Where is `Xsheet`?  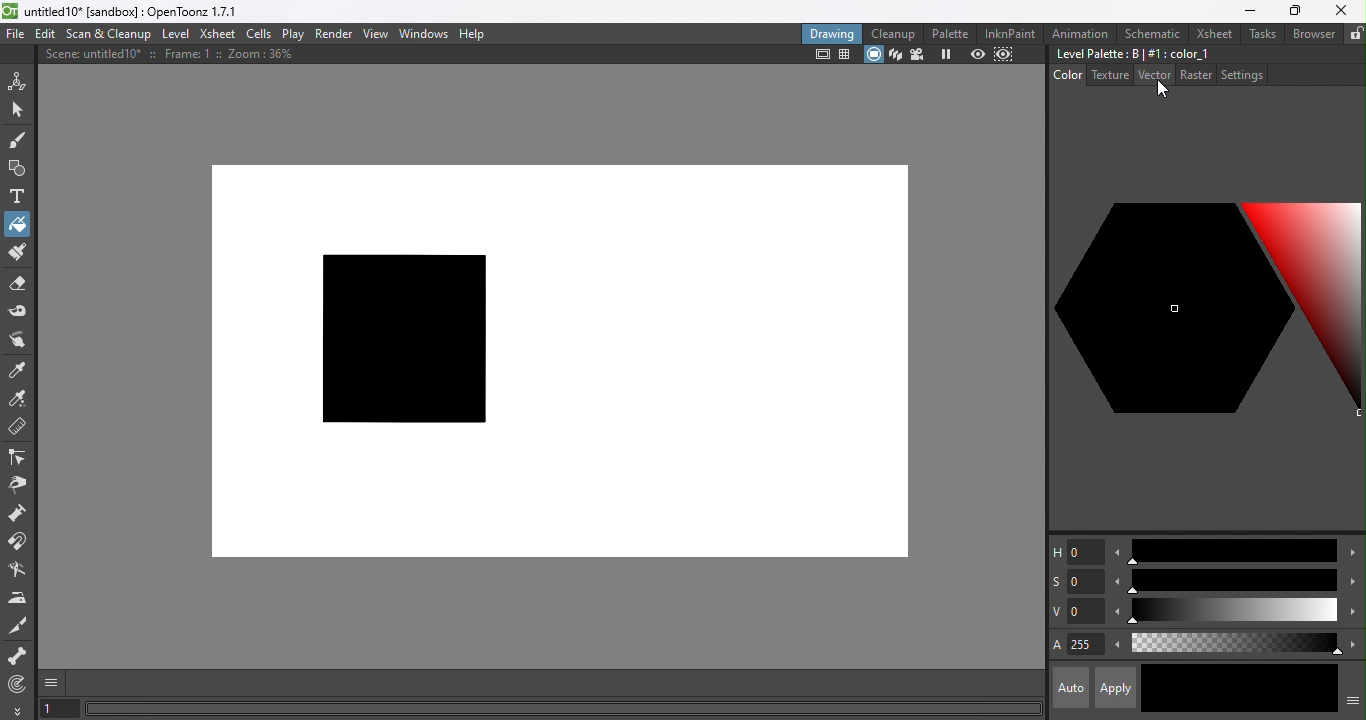 Xsheet is located at coordinates (217, 33).